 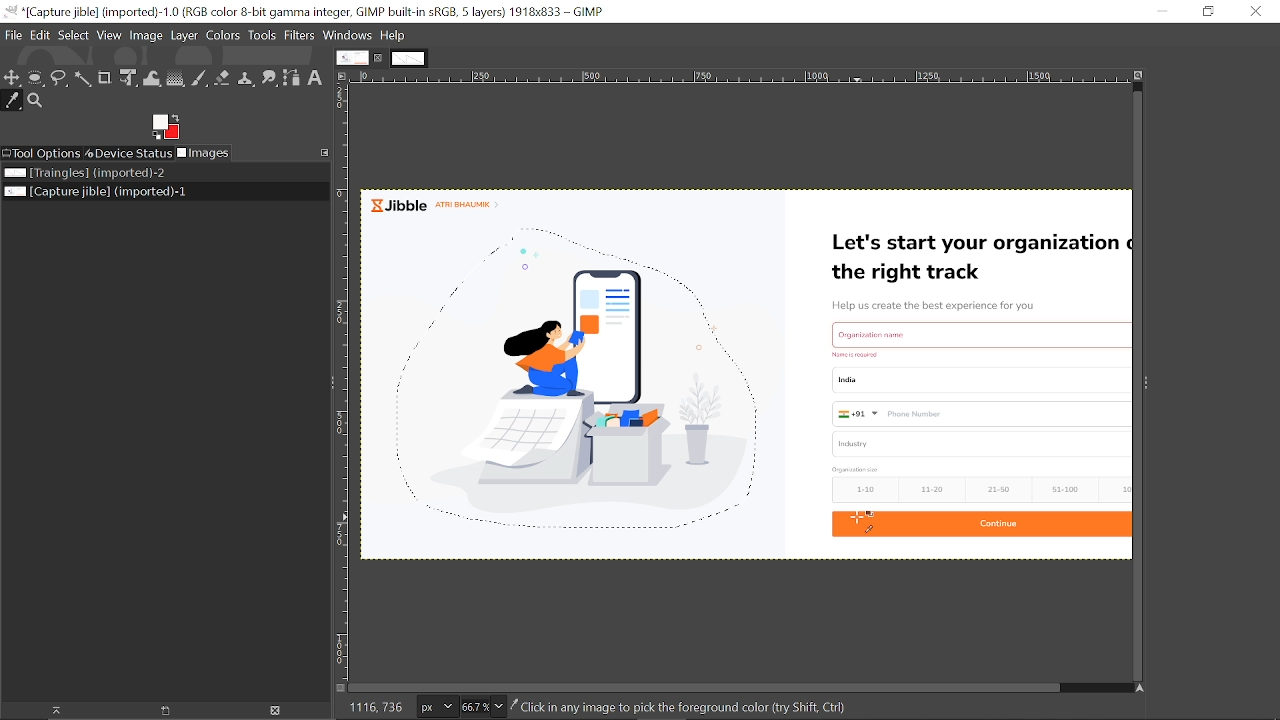 What do you see at coordinates (110, 36) in the screenshot?
I see `View` at bounding box center [110, 36].